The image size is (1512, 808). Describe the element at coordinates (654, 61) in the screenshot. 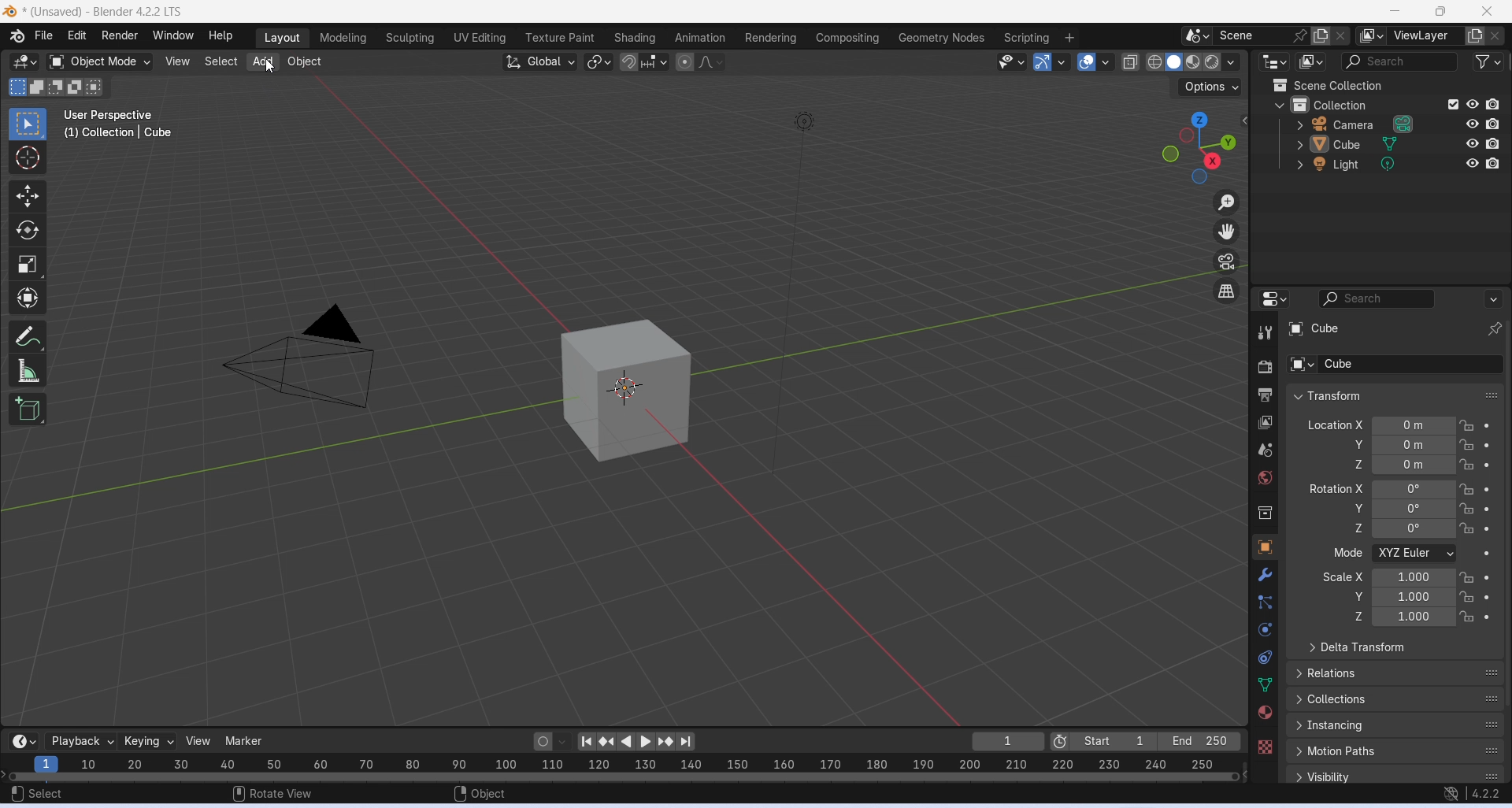

I see `snapping` at that location.